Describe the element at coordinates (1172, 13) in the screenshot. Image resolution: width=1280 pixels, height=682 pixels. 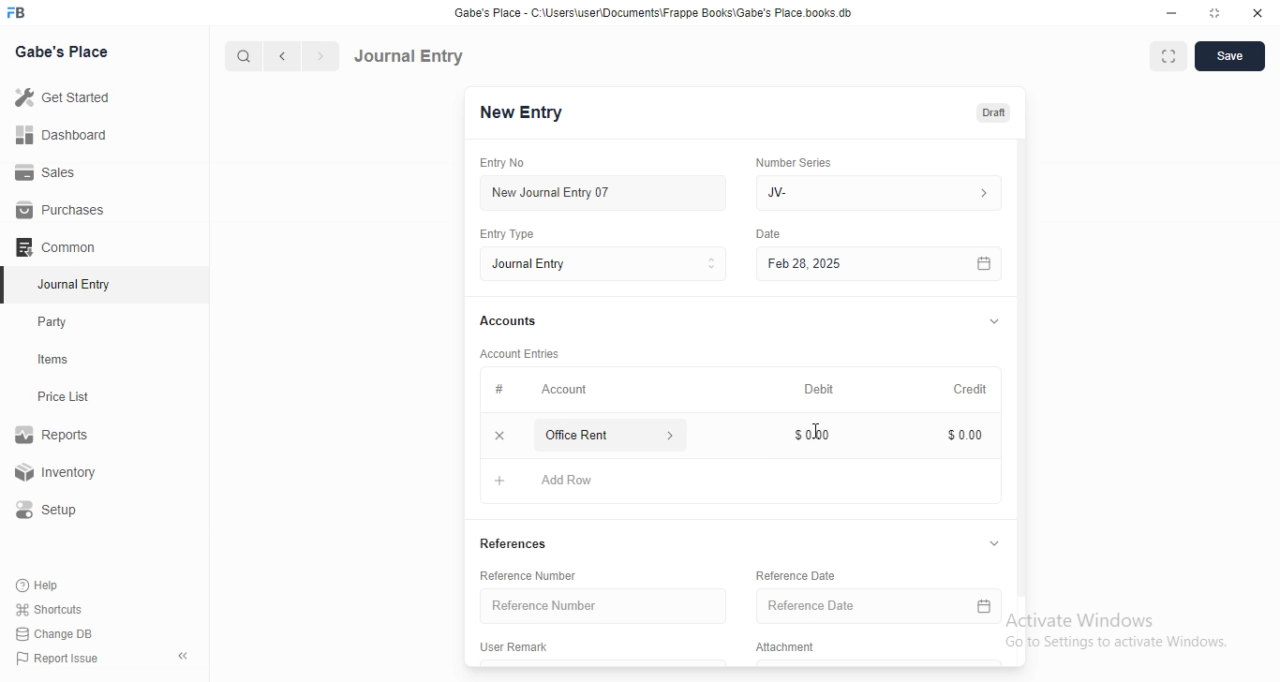
I see `minimize` at that location.